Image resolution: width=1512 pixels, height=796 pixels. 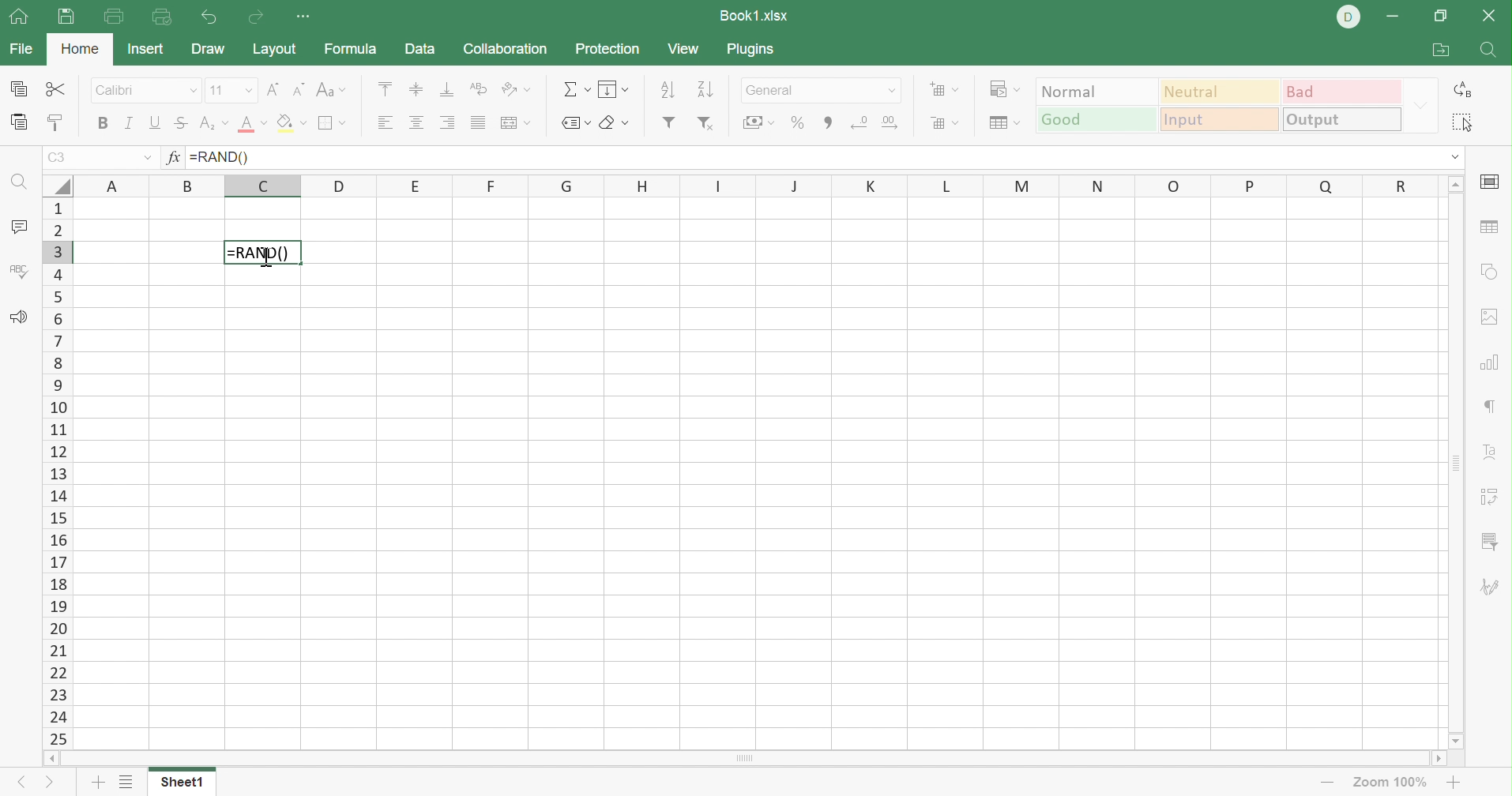 What do you see at coordinates (1491, 544) in the screenshot?
I see `Slicer settings` at bounding box center [1491, 544].